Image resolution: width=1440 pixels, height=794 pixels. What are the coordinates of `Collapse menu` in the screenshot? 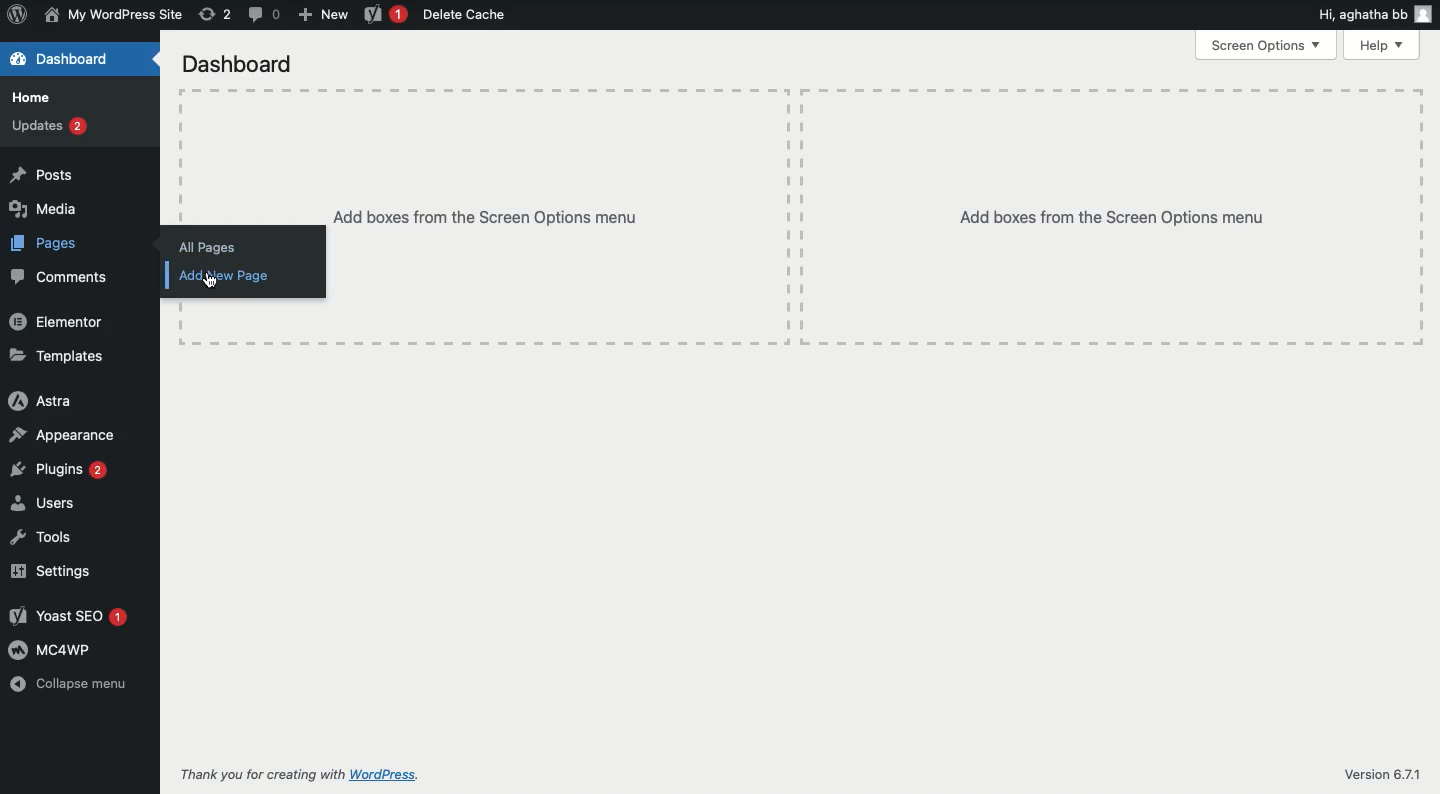 It's located at (70, 681).